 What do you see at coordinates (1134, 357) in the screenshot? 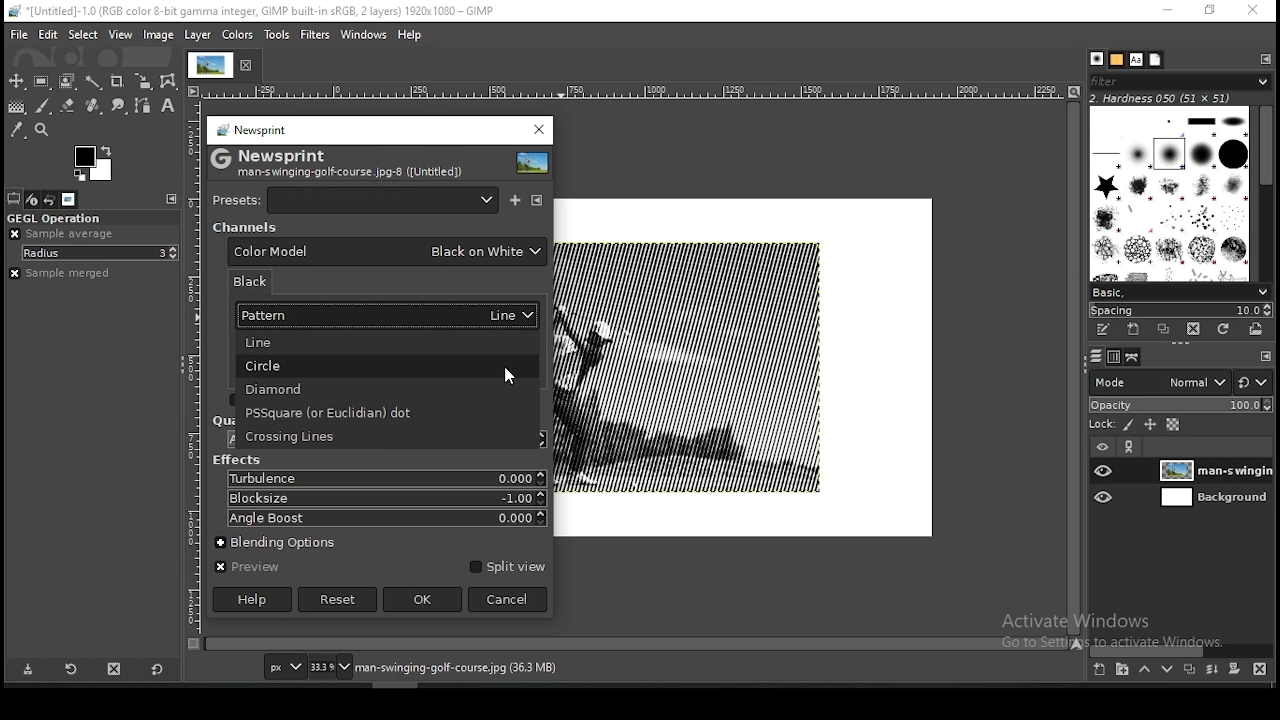
I see `paths` at bounding box center [1134, 357].